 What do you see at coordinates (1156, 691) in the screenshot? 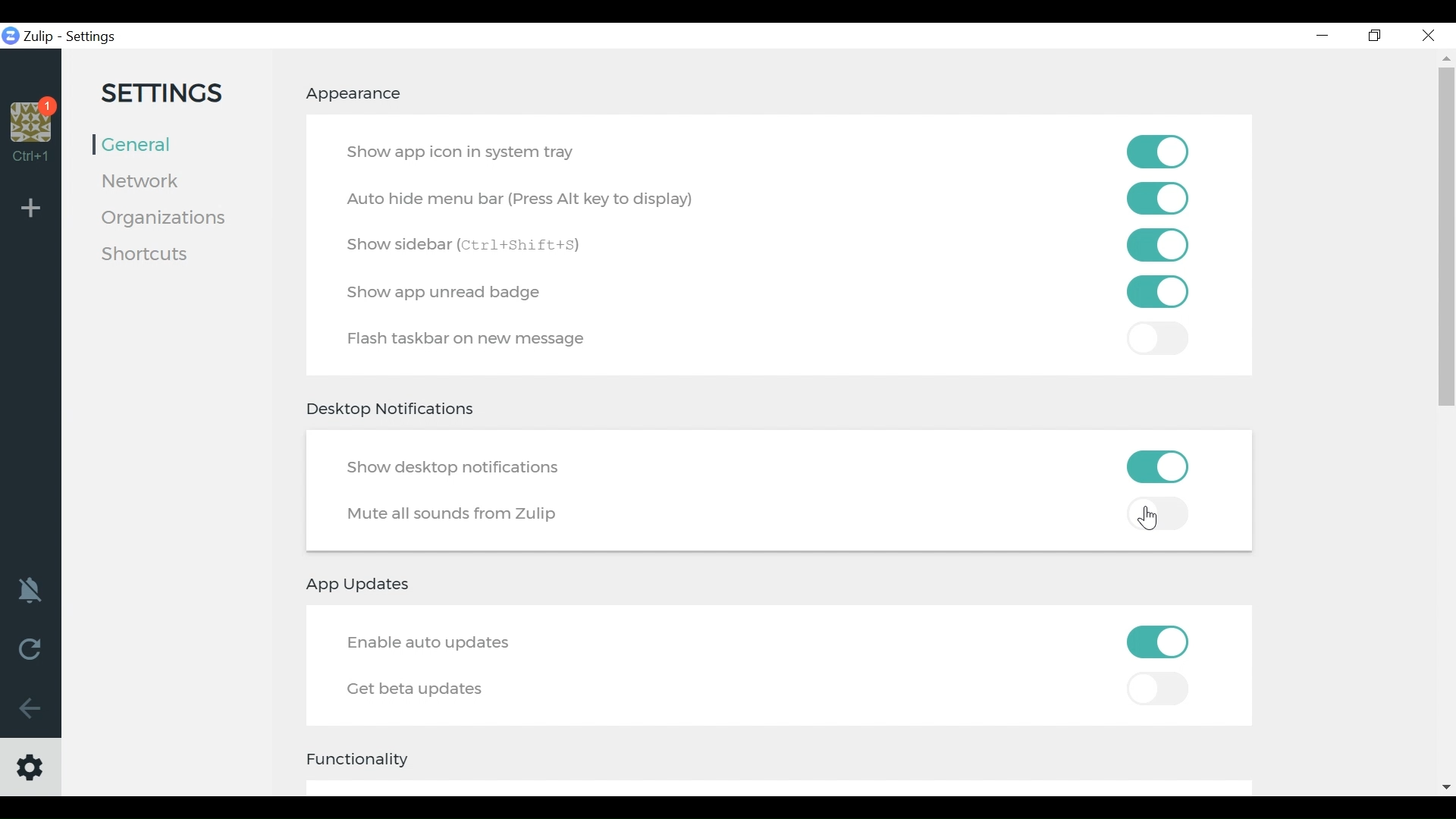
I see `Toggle on/off Get Beta Updates ` at bounding box center [1156, 691].